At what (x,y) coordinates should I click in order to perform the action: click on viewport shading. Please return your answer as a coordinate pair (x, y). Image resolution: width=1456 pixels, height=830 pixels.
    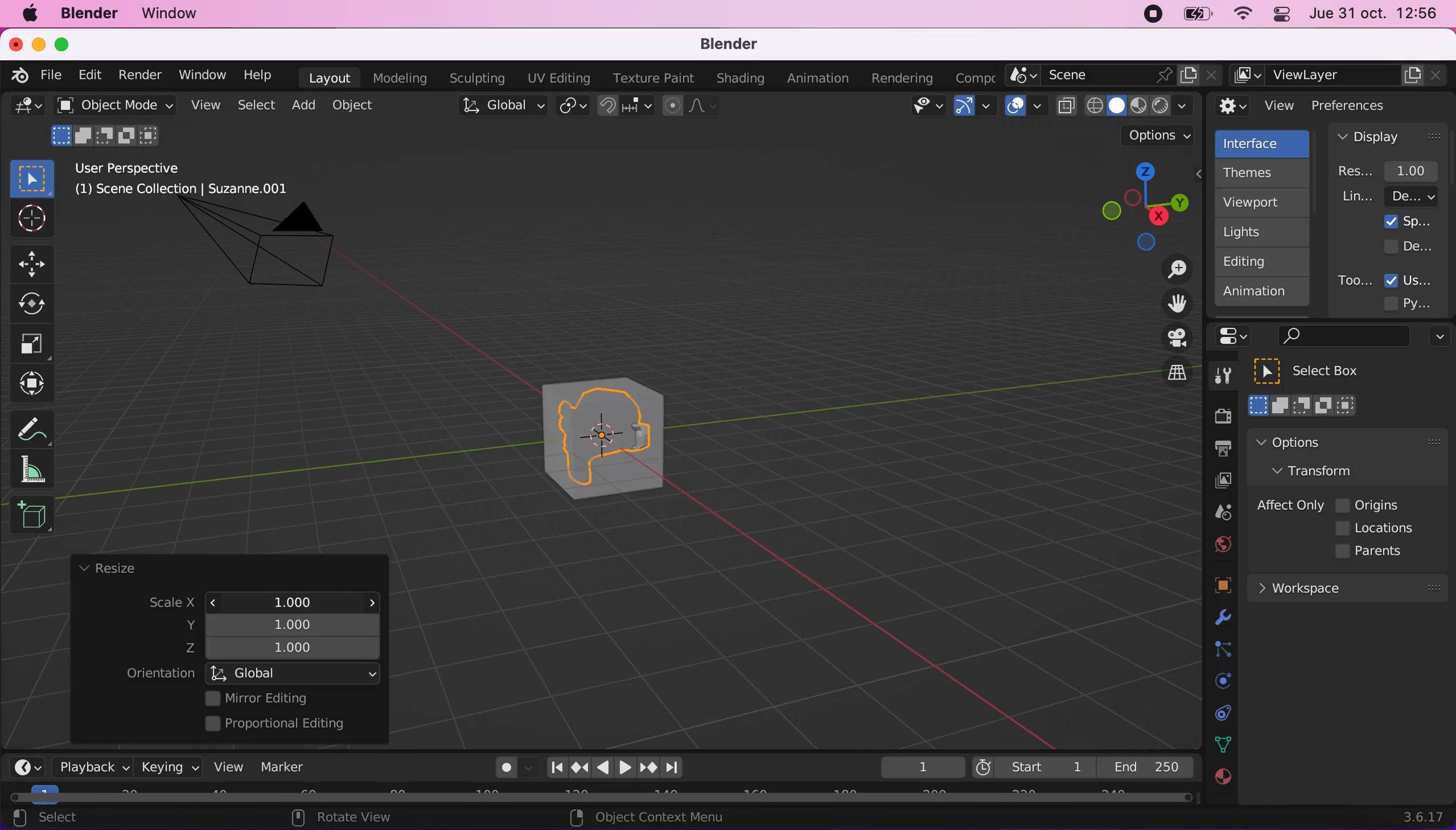
    Looking at the image, I should click on (1128, 105).